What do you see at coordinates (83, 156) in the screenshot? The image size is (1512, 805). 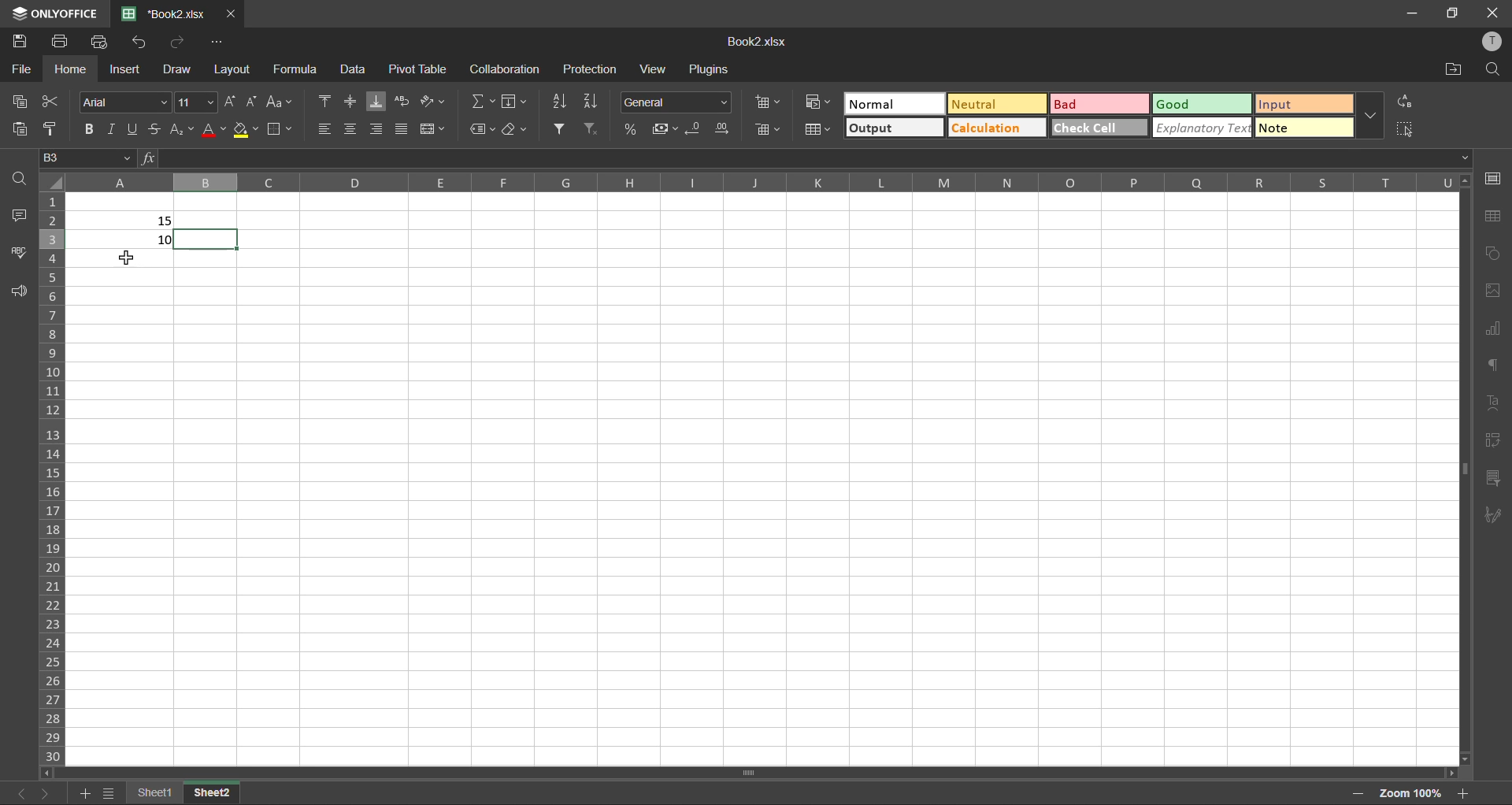 I see `B3` at bounding box center [83, 156].